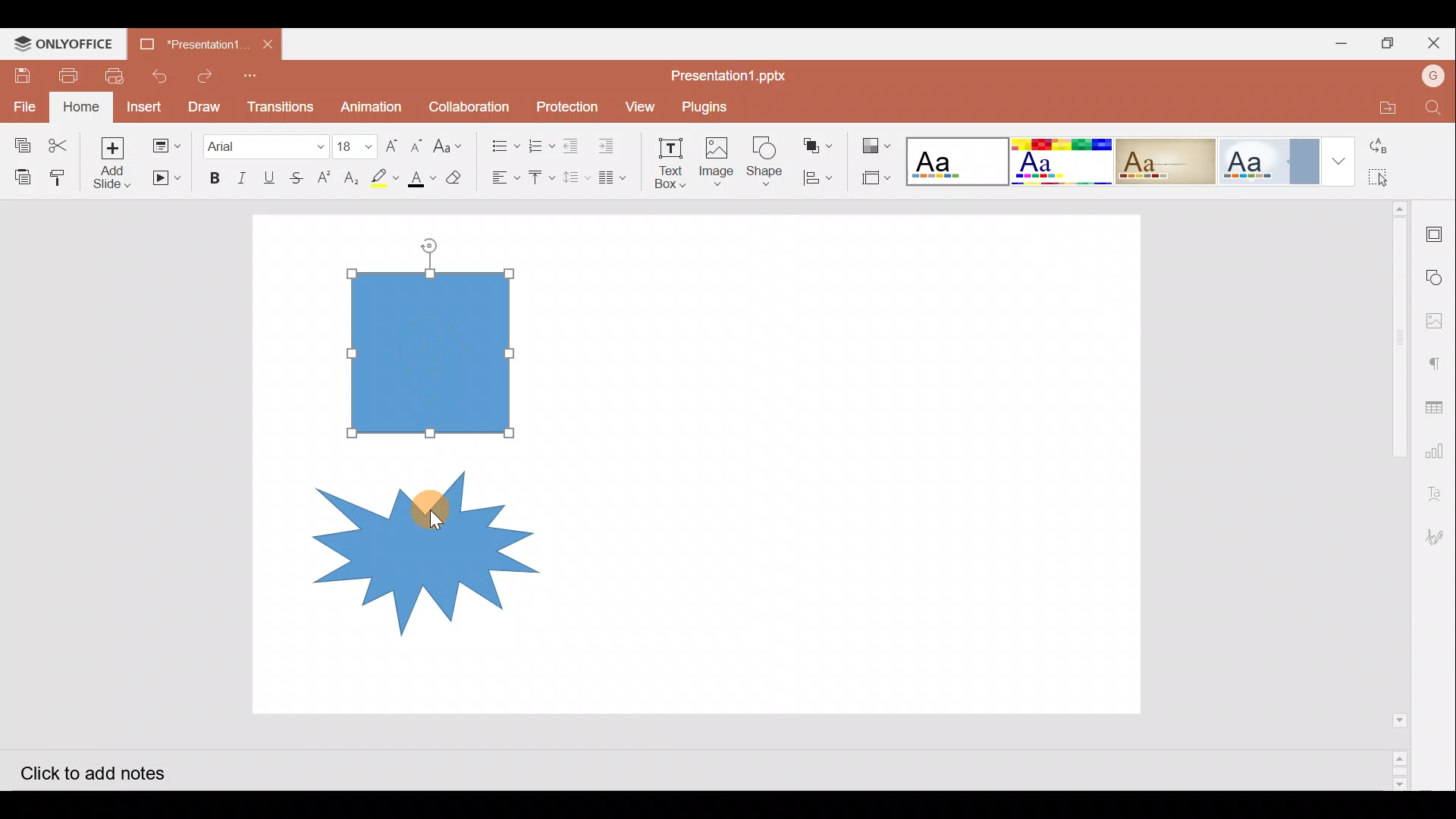 Image resolution: width=1456 pixels, height=819 pixels. I want to click on Replace, so click(1389, 147).